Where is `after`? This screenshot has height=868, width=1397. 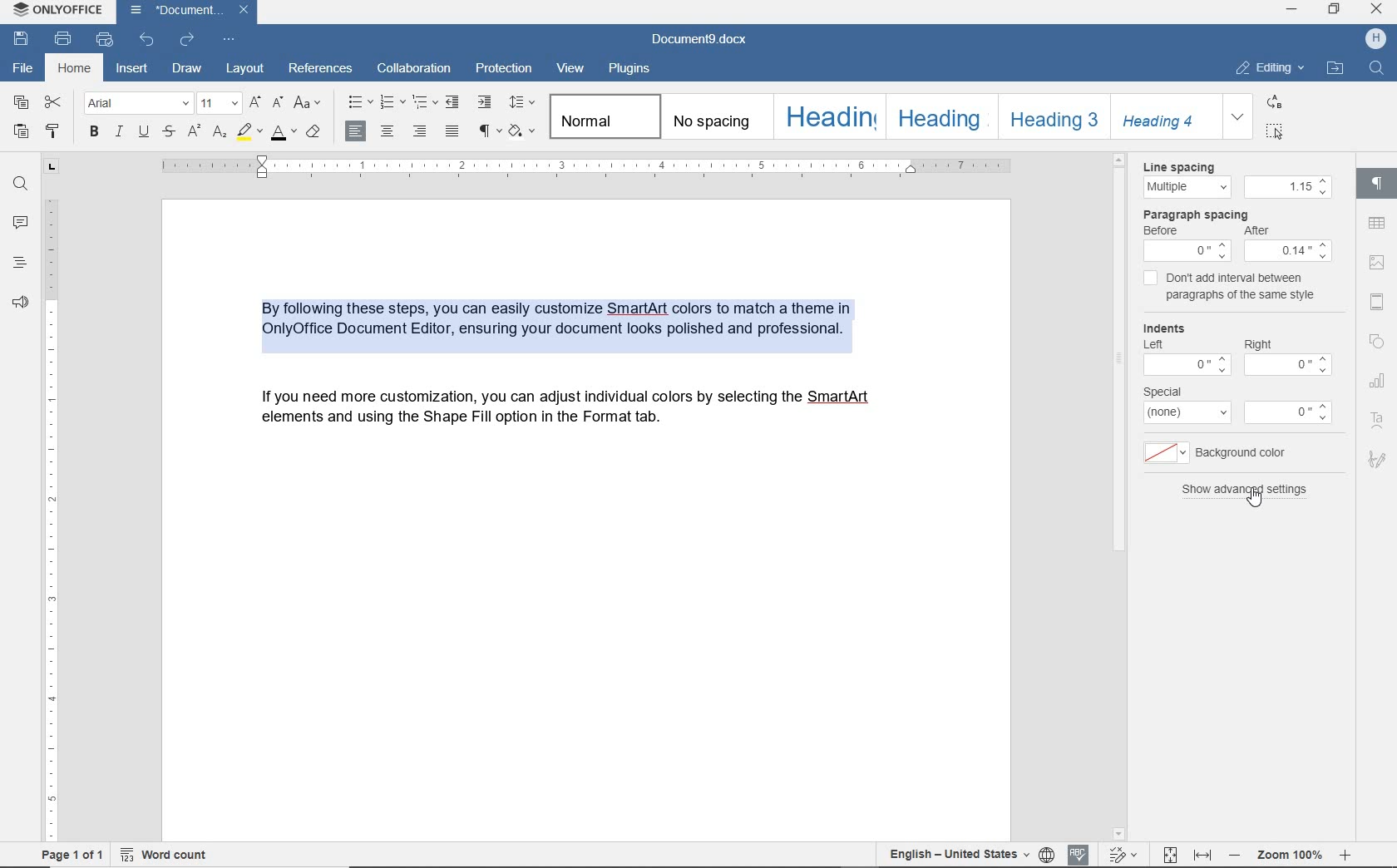 after is located at coordinates (1263, 232).